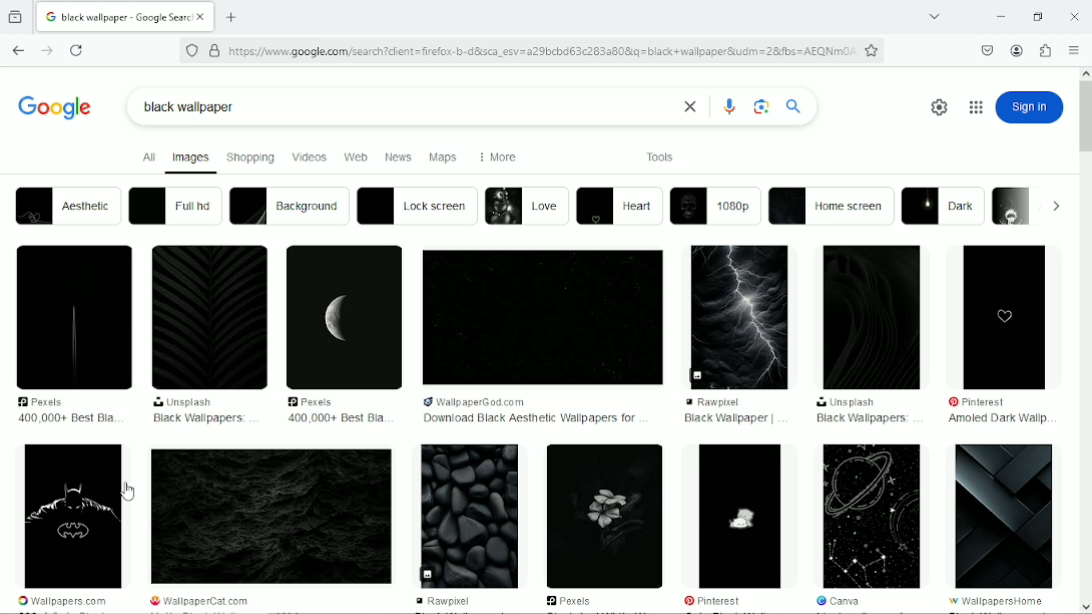 This screenshot has height=614, width=1092. What do you see at coordinates (871, 50) in the screenshot?
I see `bookmark this page` at bounding box center [871, 50].